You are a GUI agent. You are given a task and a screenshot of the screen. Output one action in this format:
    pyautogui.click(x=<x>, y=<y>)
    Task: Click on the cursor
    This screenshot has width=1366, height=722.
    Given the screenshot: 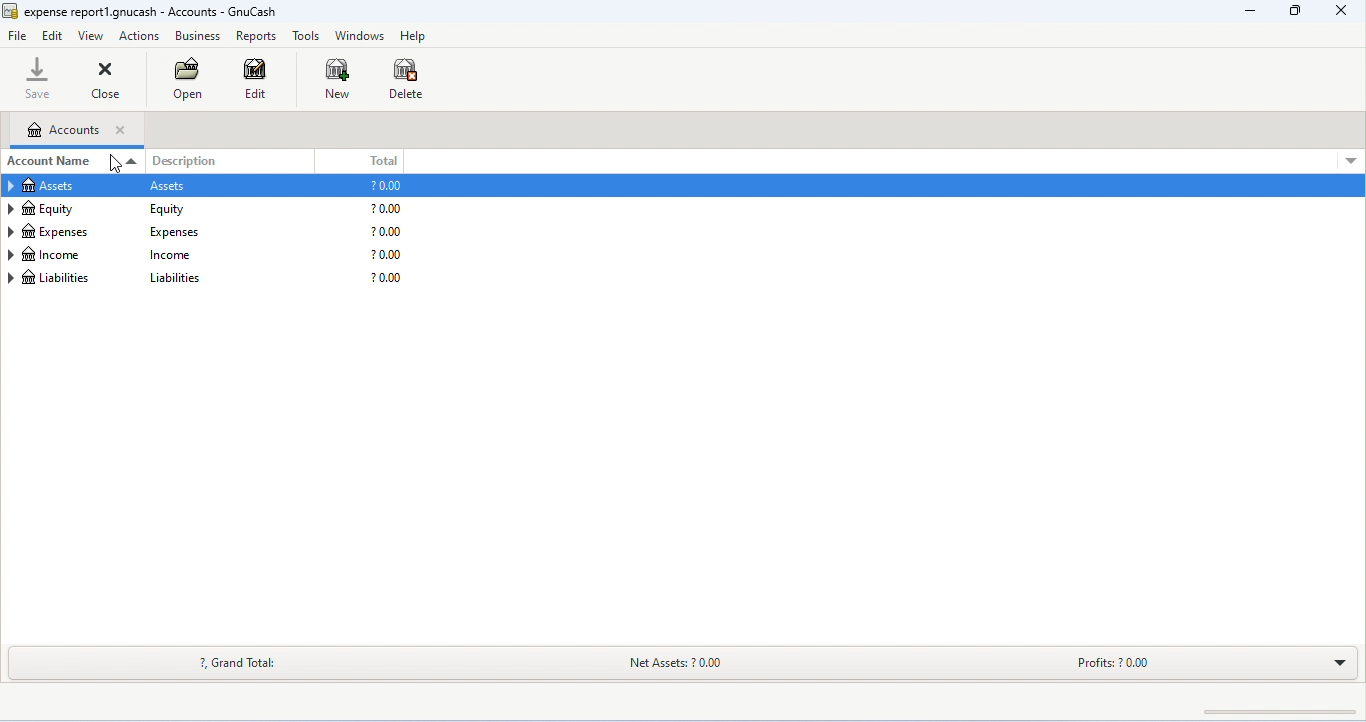 What is the action you would take?
    pyautogui.click(x=123, y=163)
    